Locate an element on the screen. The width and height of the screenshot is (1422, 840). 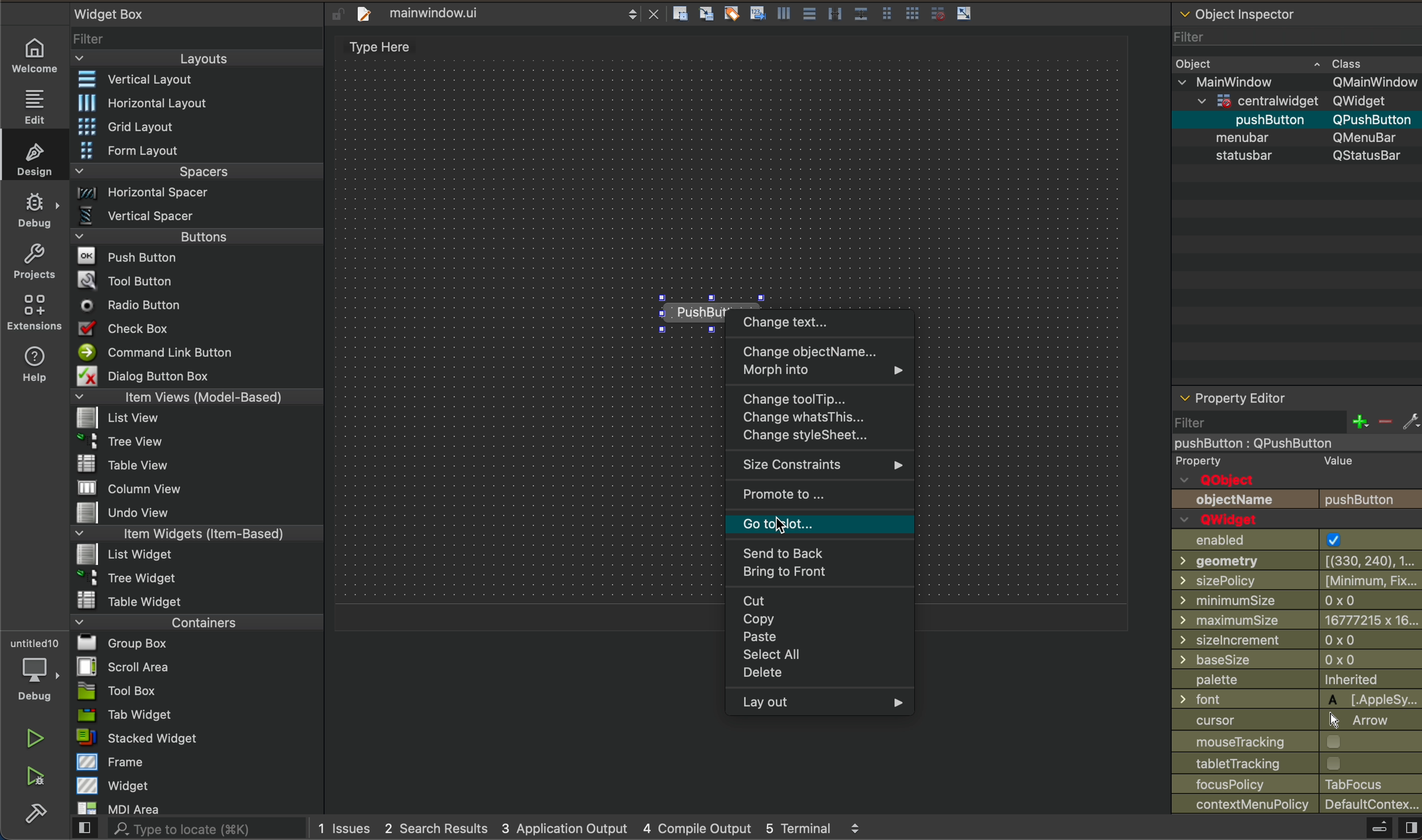
copy is located at coordinates (825, 621).